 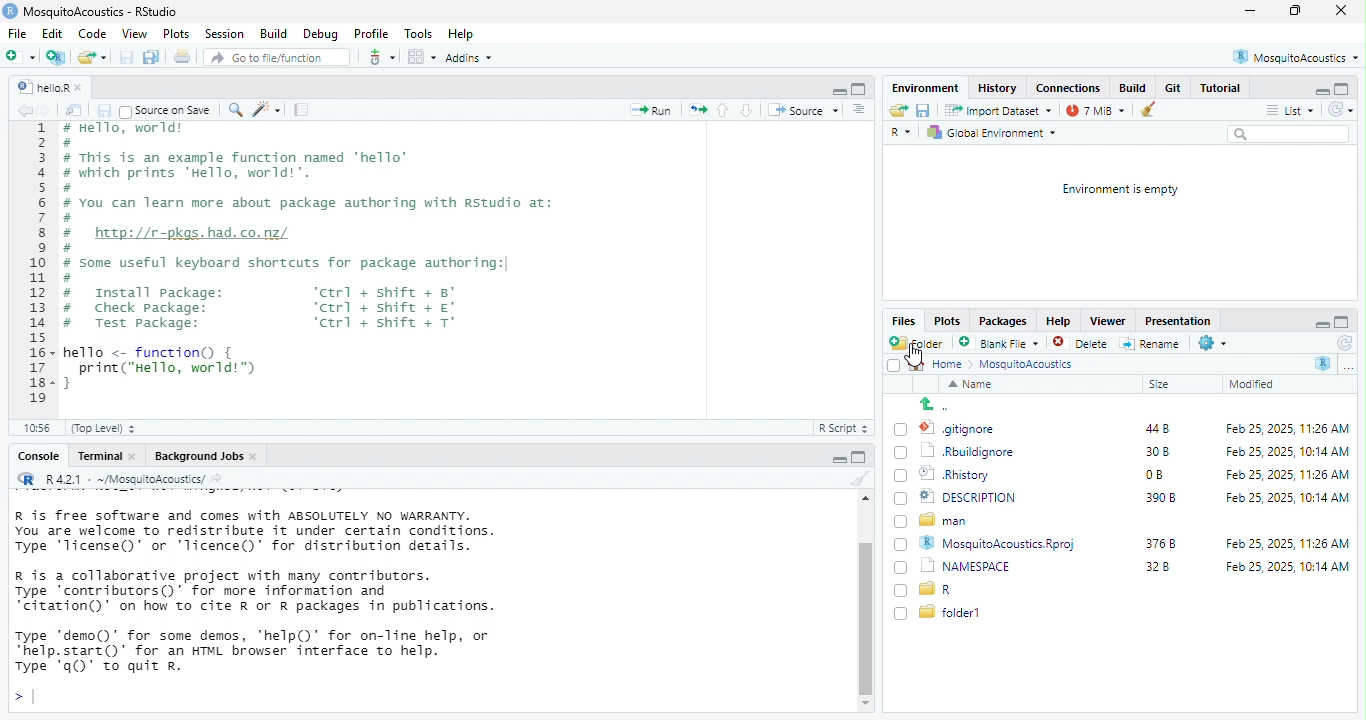 I want to click on open an existing file, so click(x=93, y=57).